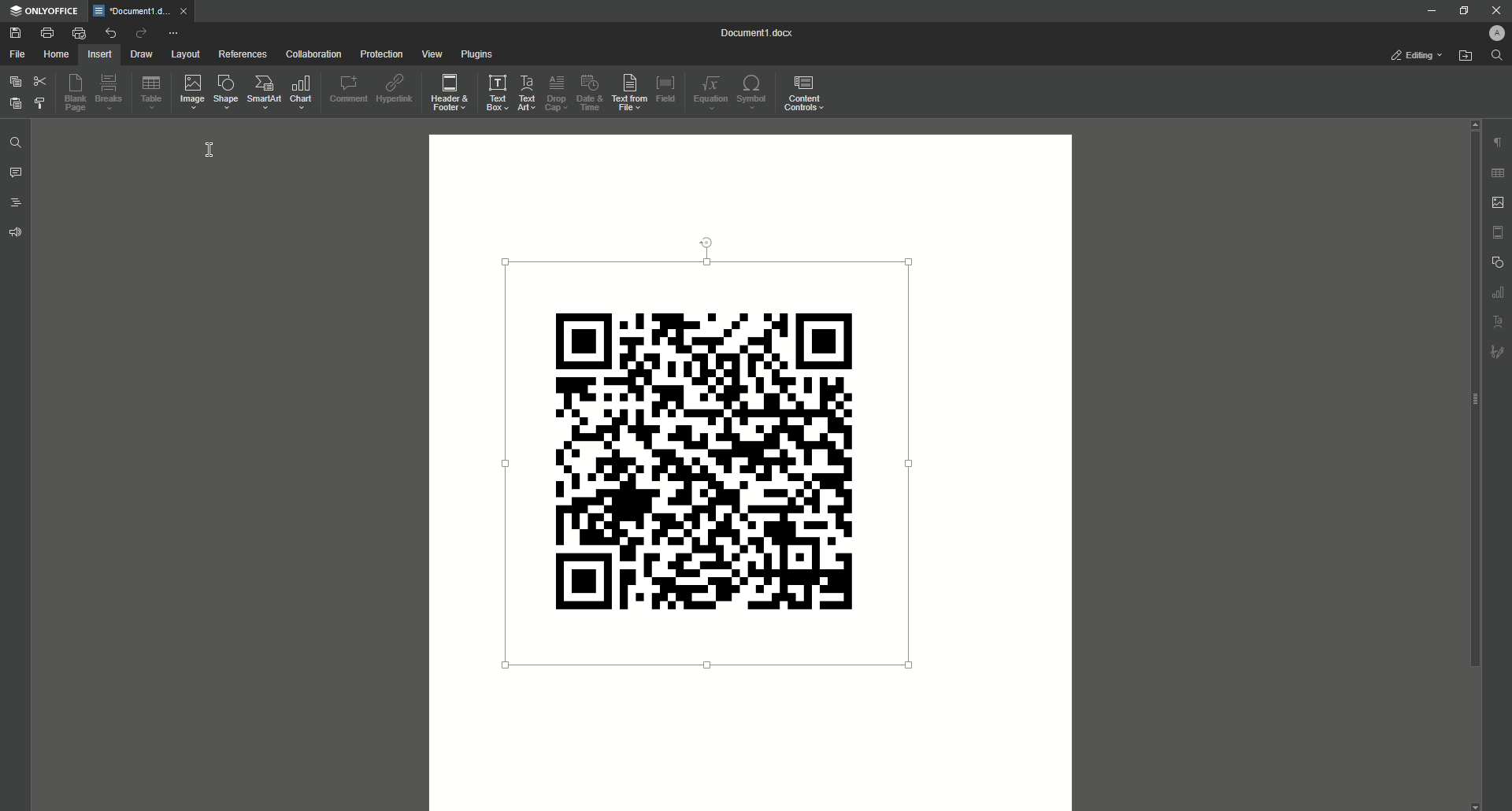 The width and height of the screenshot is (1512, 811). I want to click on Draw, so click(143, 55).